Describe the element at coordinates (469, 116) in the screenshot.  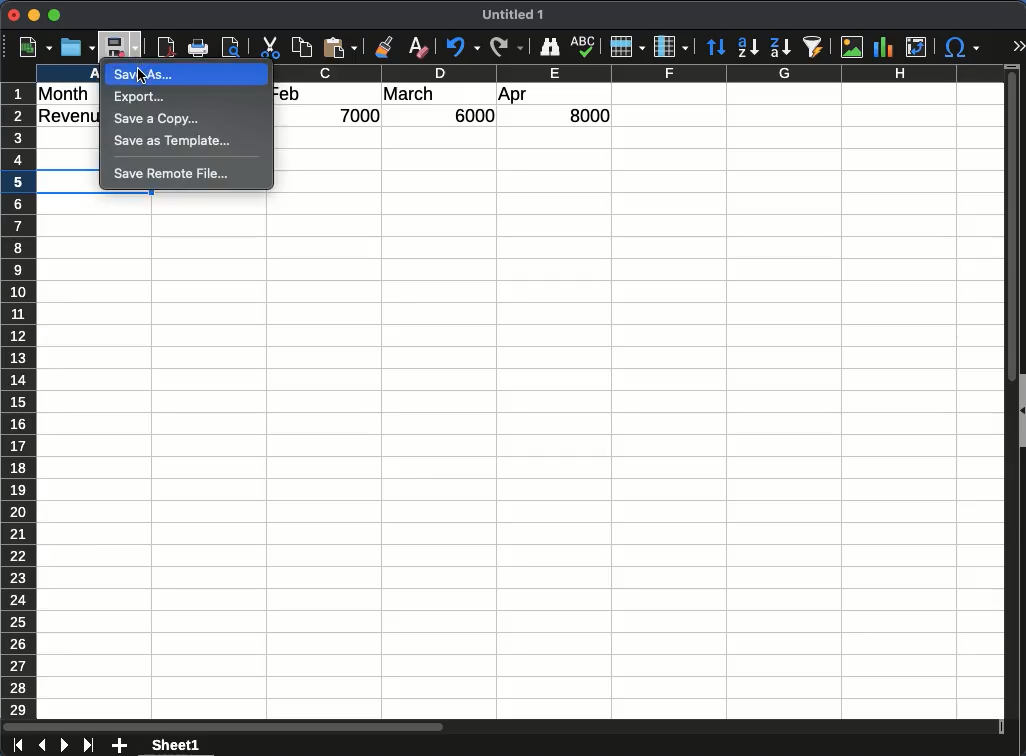
I see `6000` at that location.